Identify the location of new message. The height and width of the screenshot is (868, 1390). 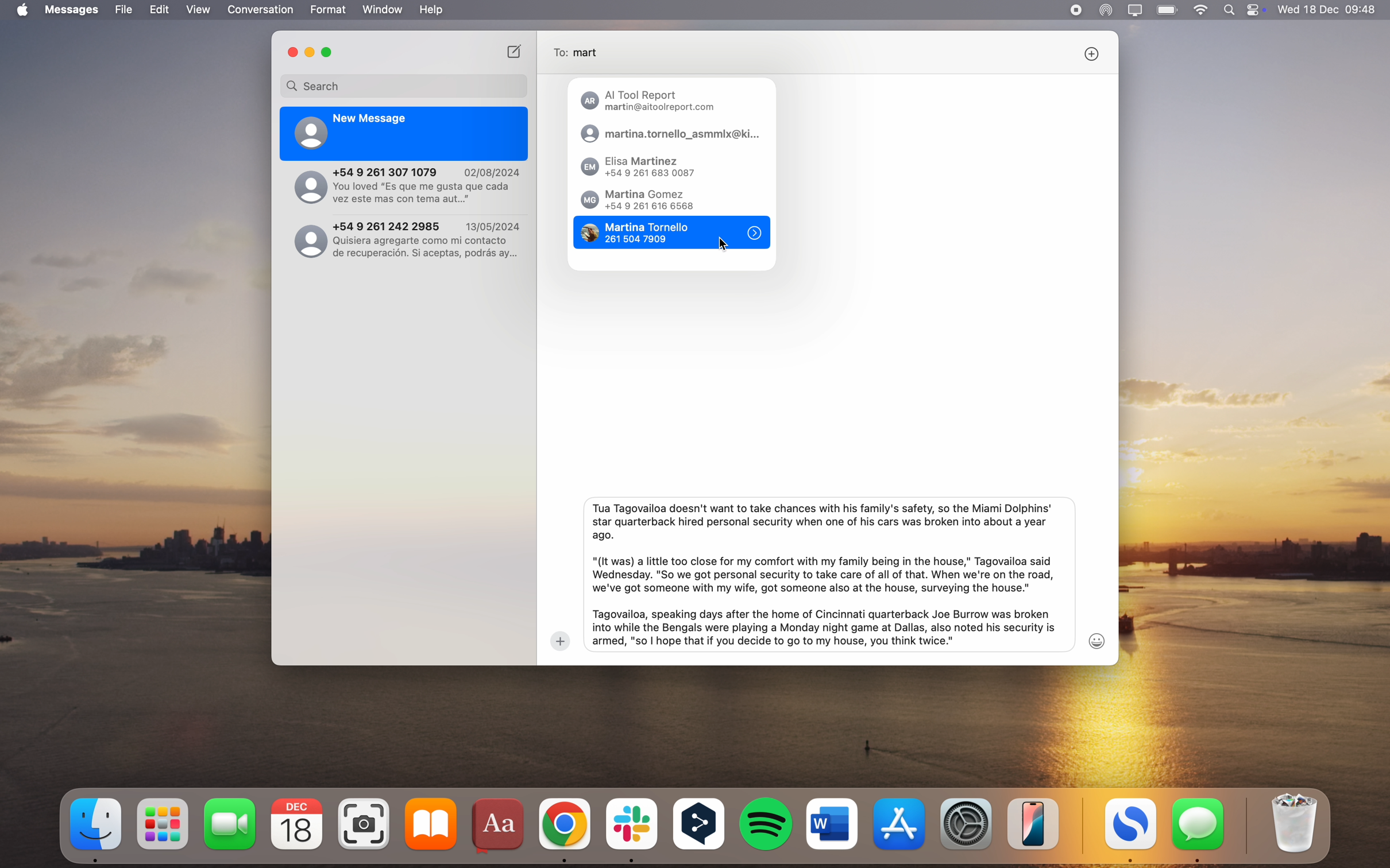
(405, 134).